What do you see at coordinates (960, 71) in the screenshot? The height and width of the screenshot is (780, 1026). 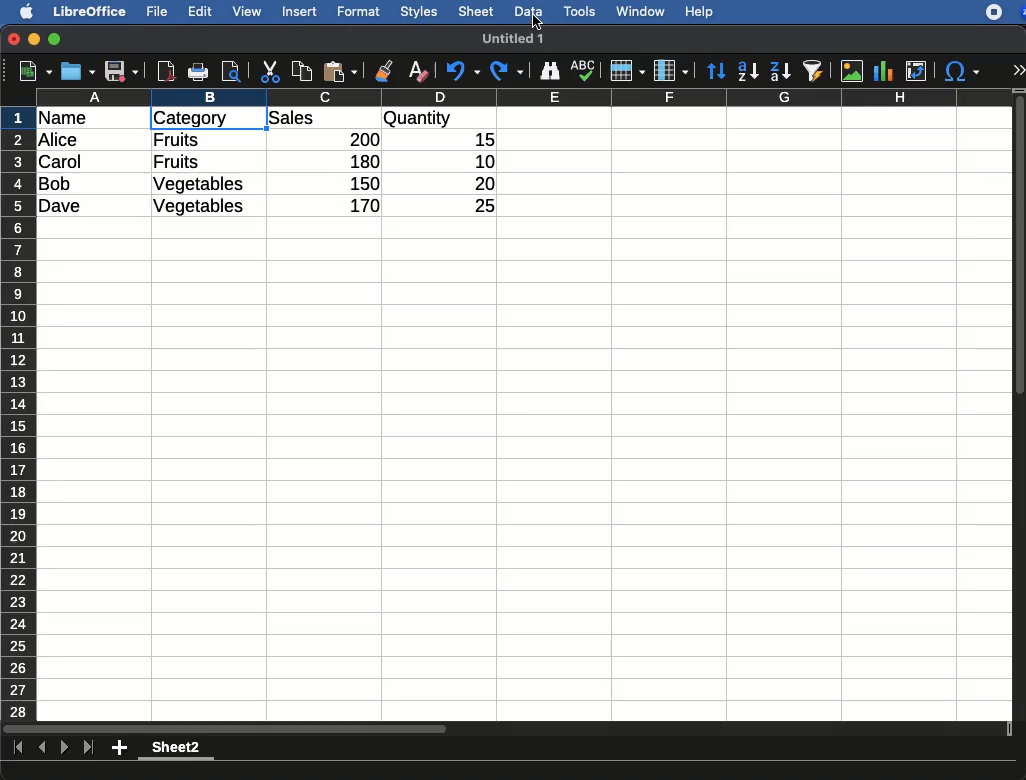 I see `special characters` at bounding box center [960, 71].